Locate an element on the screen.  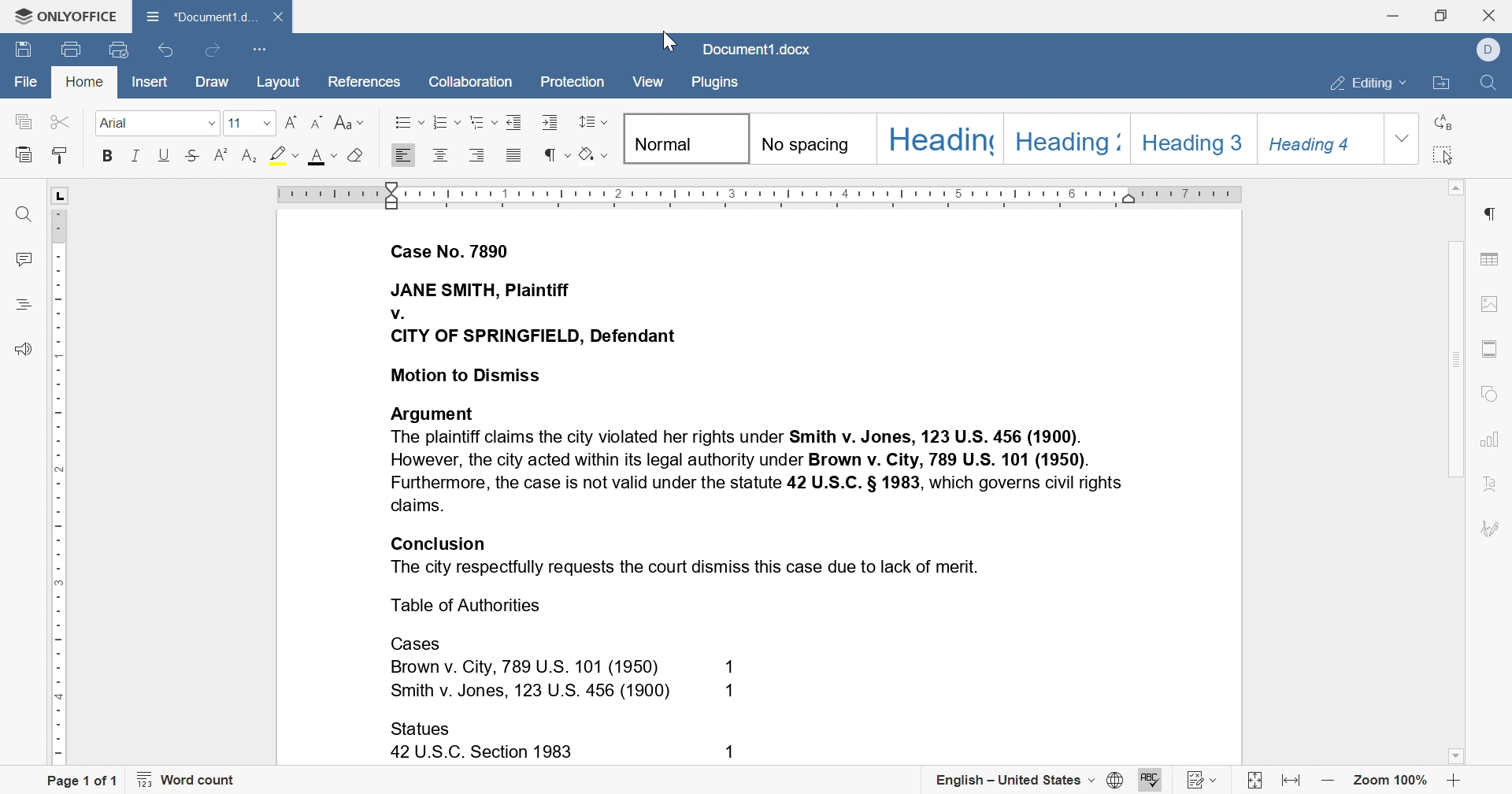
italic is located at coordinates (137, 155).